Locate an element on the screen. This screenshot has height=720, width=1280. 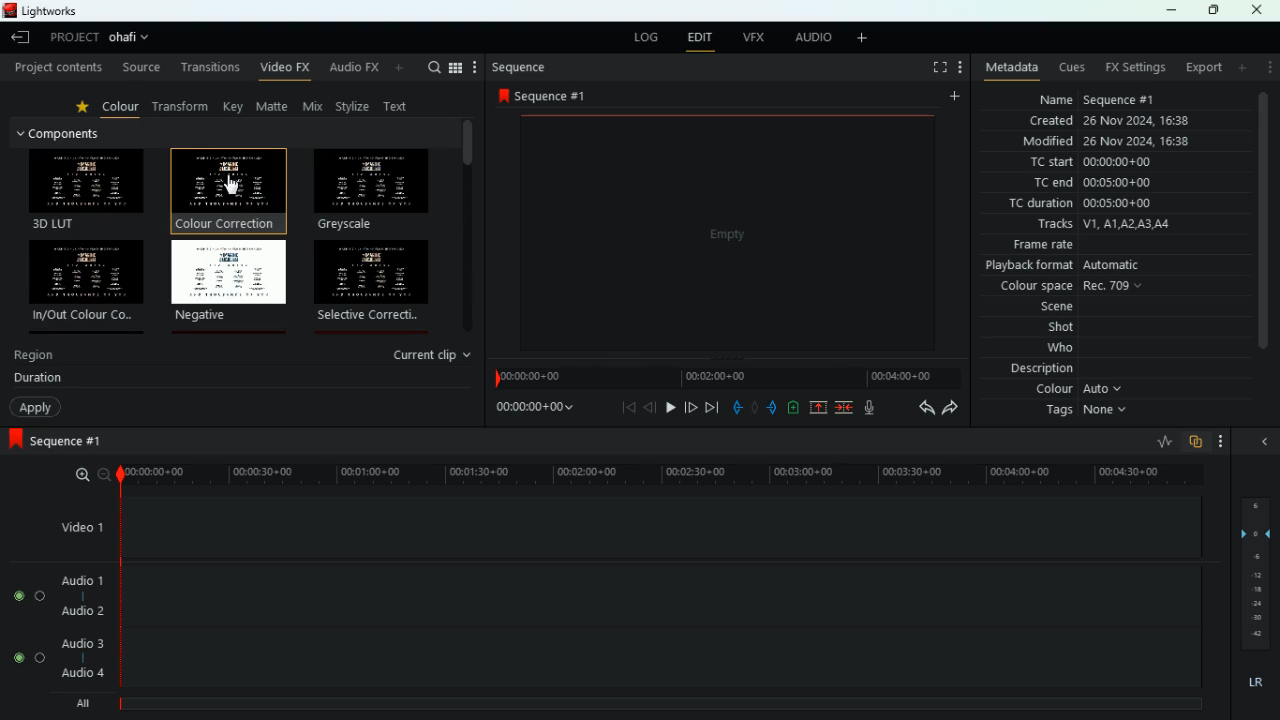
cues is located at coordinates (1073, 68).